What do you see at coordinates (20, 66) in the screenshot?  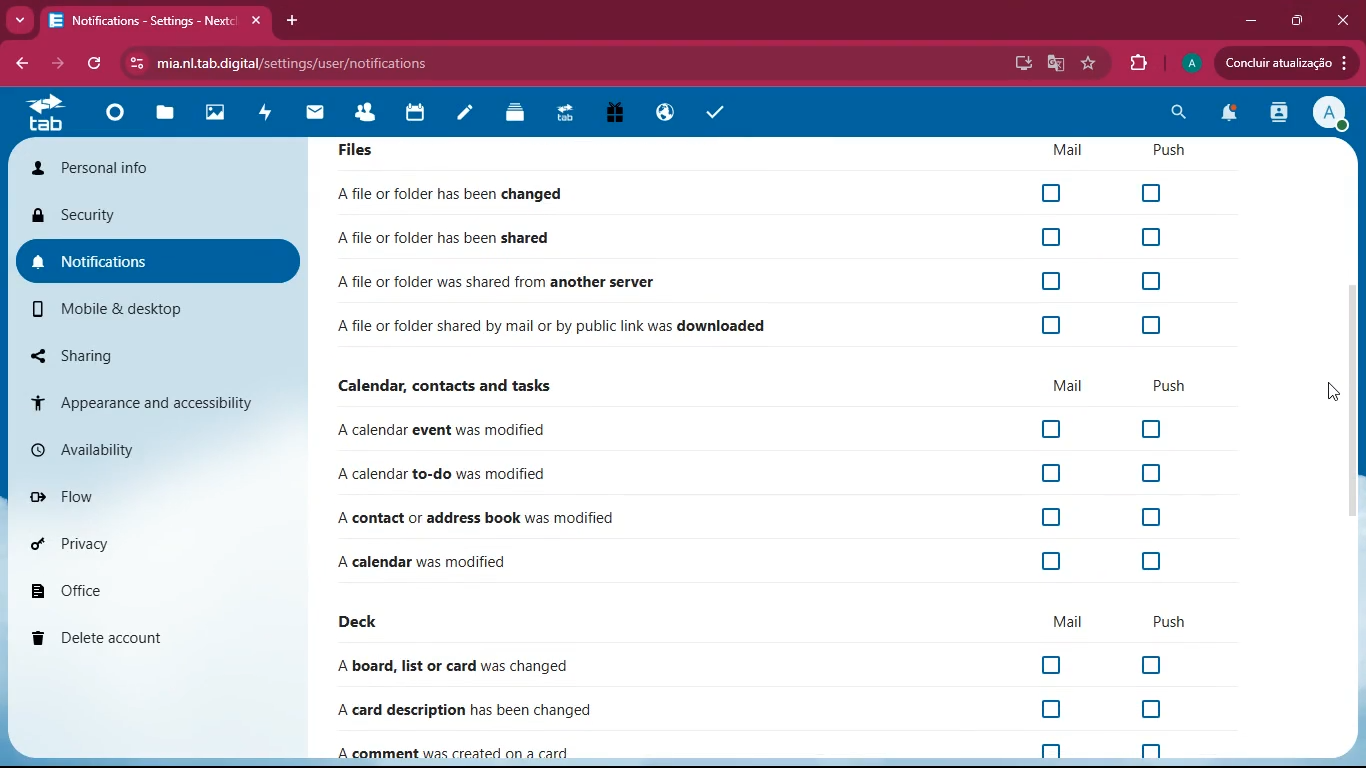 I see `bacj` at bounding box center [20, 66].